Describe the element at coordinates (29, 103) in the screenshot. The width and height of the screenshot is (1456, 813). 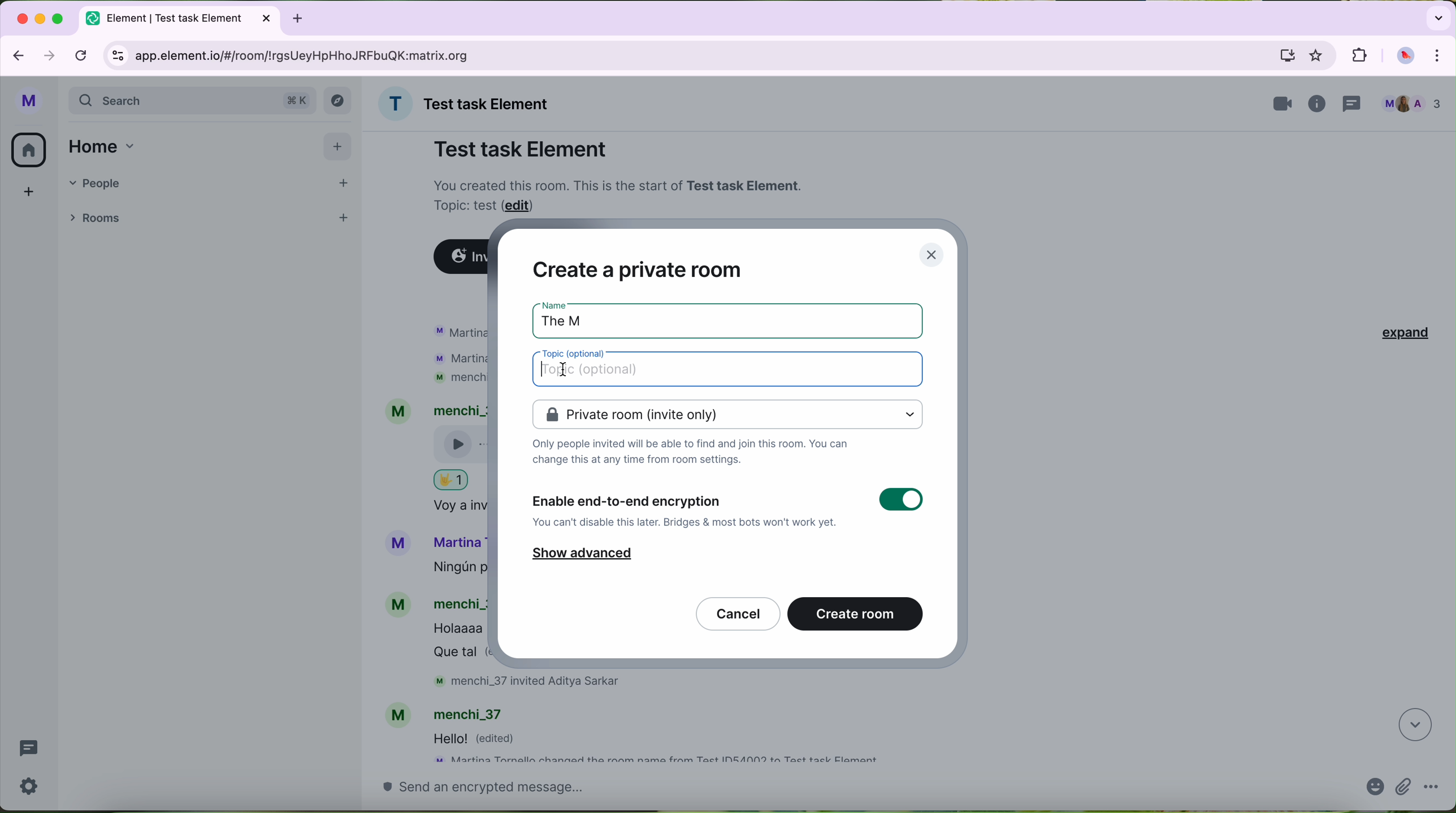
I see `profile` at that location.